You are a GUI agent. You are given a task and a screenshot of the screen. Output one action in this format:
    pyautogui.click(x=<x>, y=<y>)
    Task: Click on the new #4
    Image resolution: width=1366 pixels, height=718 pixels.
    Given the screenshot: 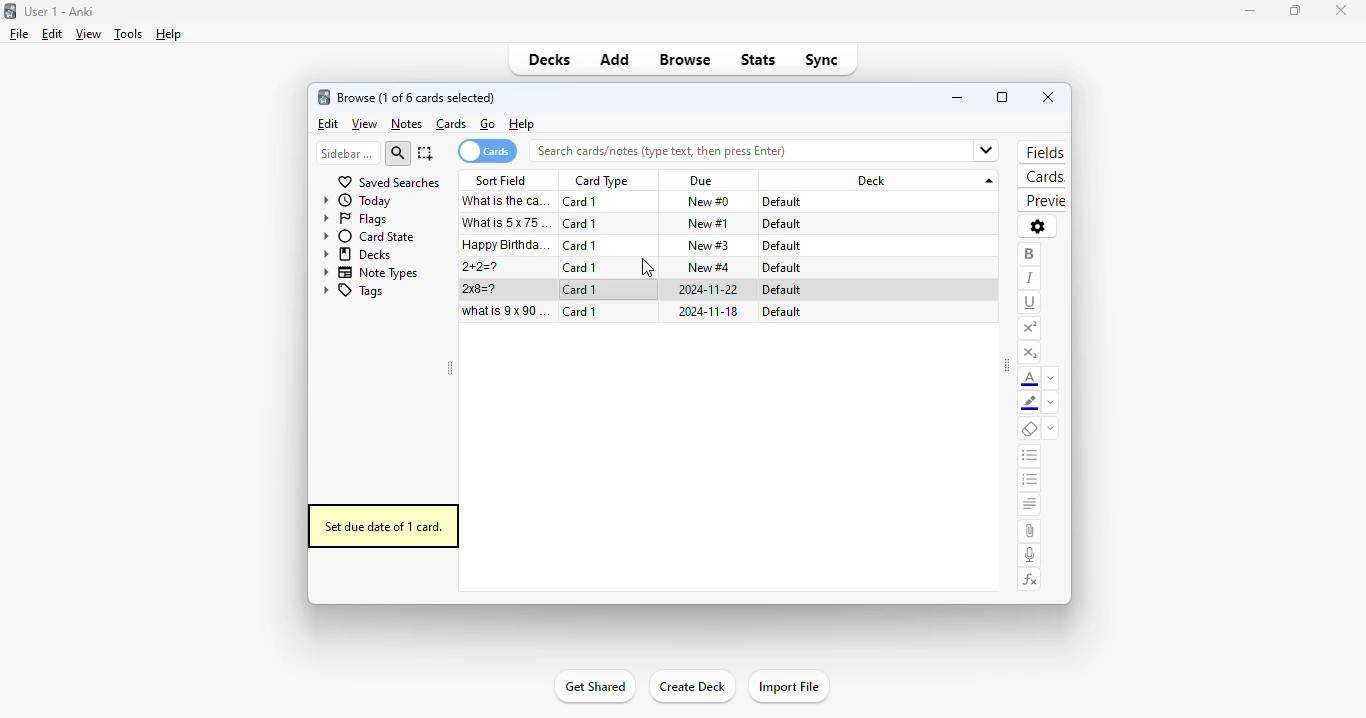 What is the action you would take?
    pyautogui.click(x=709, y=267)
    